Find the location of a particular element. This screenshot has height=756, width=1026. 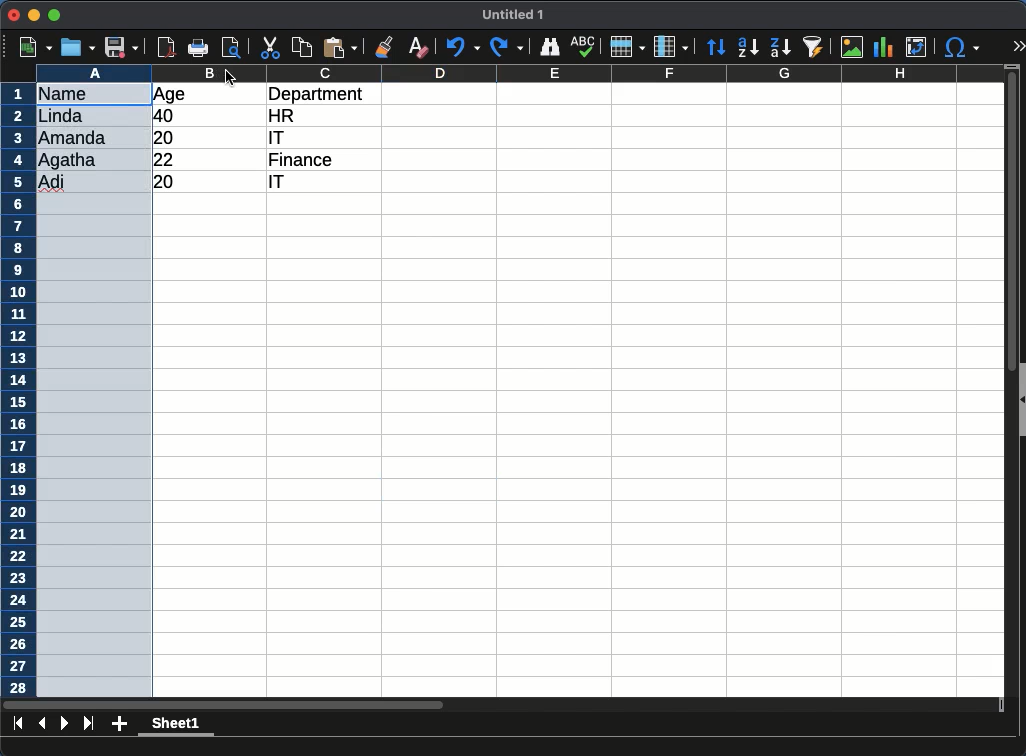

open is located at coordinates (78, 47).